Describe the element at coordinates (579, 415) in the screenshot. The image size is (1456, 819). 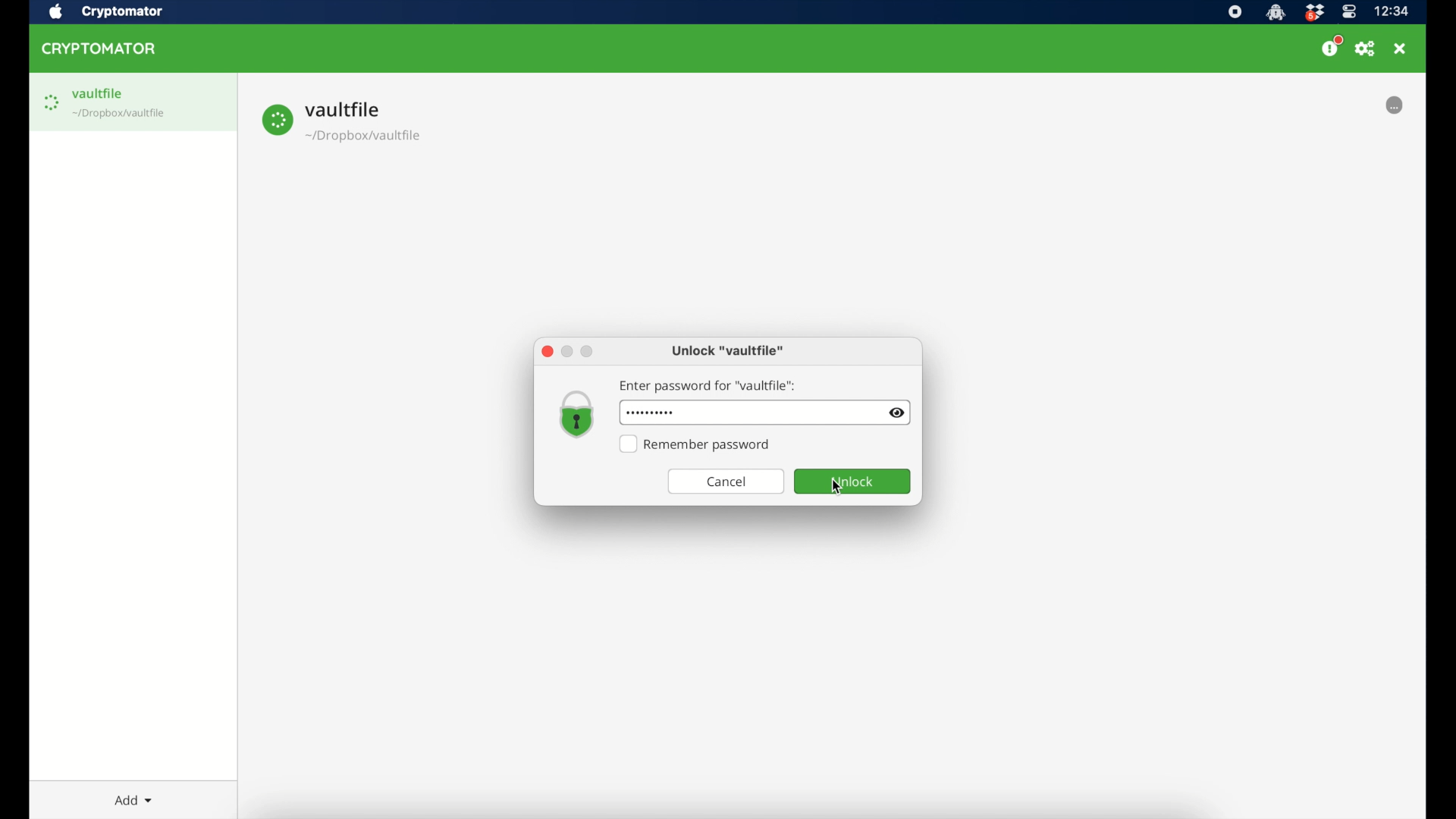
I see `lock icon` at that location.